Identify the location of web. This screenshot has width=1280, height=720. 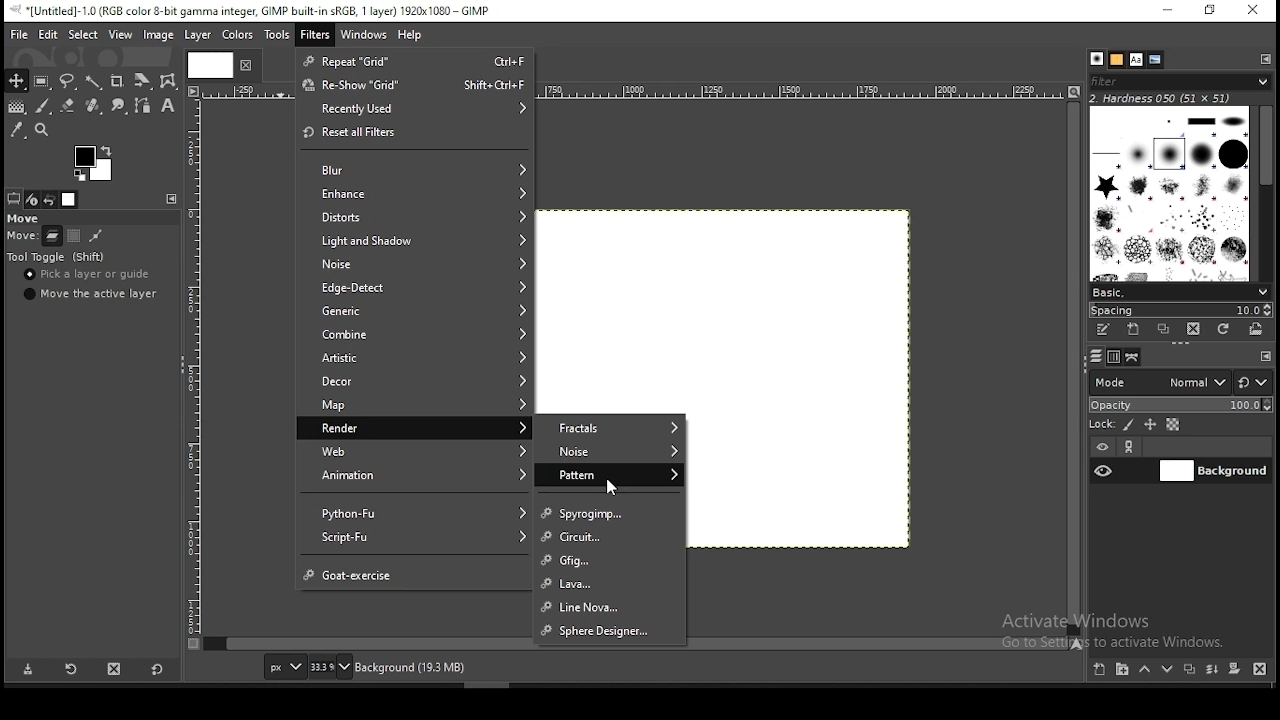
(414, 451).